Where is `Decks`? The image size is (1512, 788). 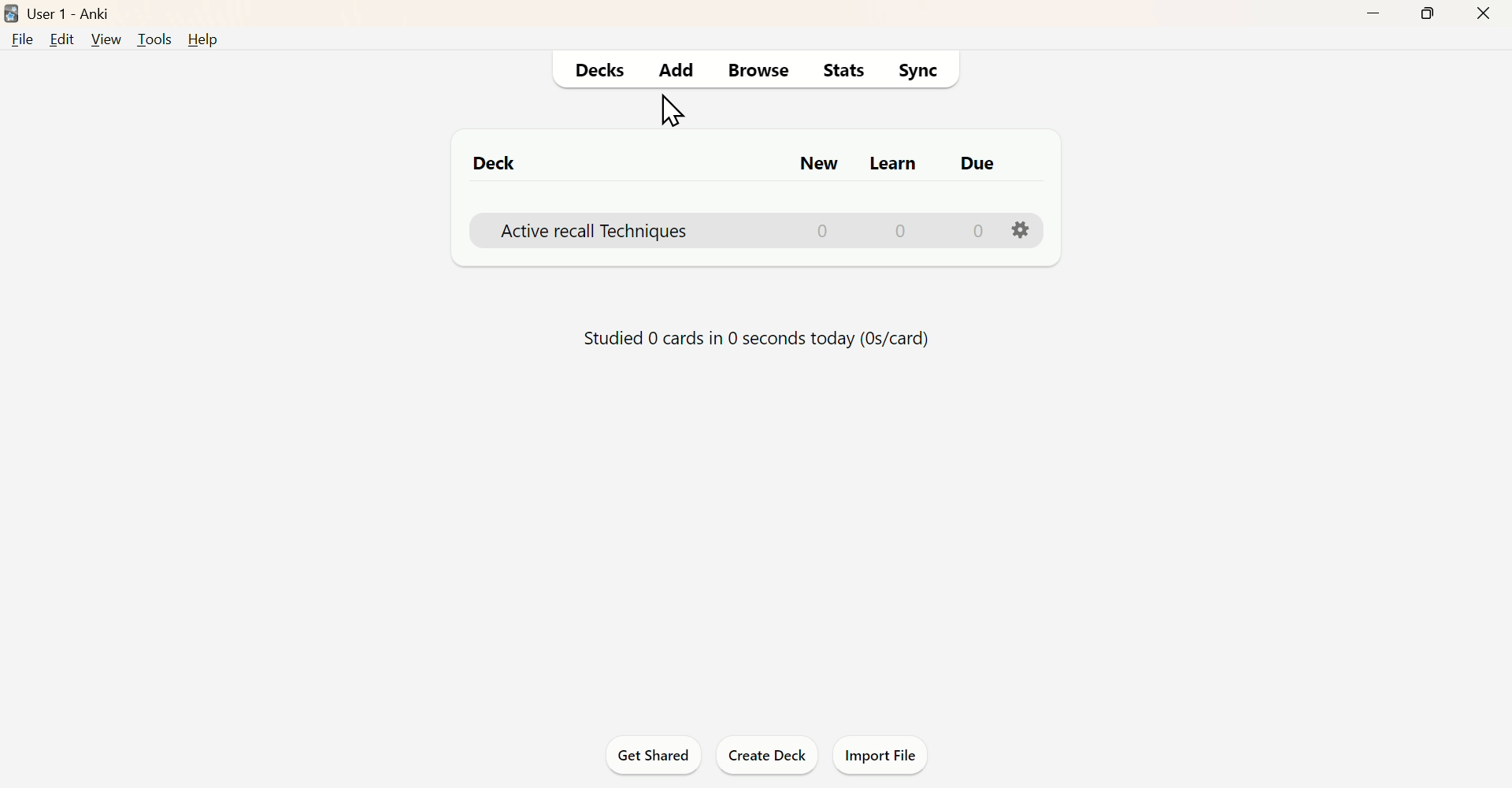
Decks is located at coordinates (599, 72).